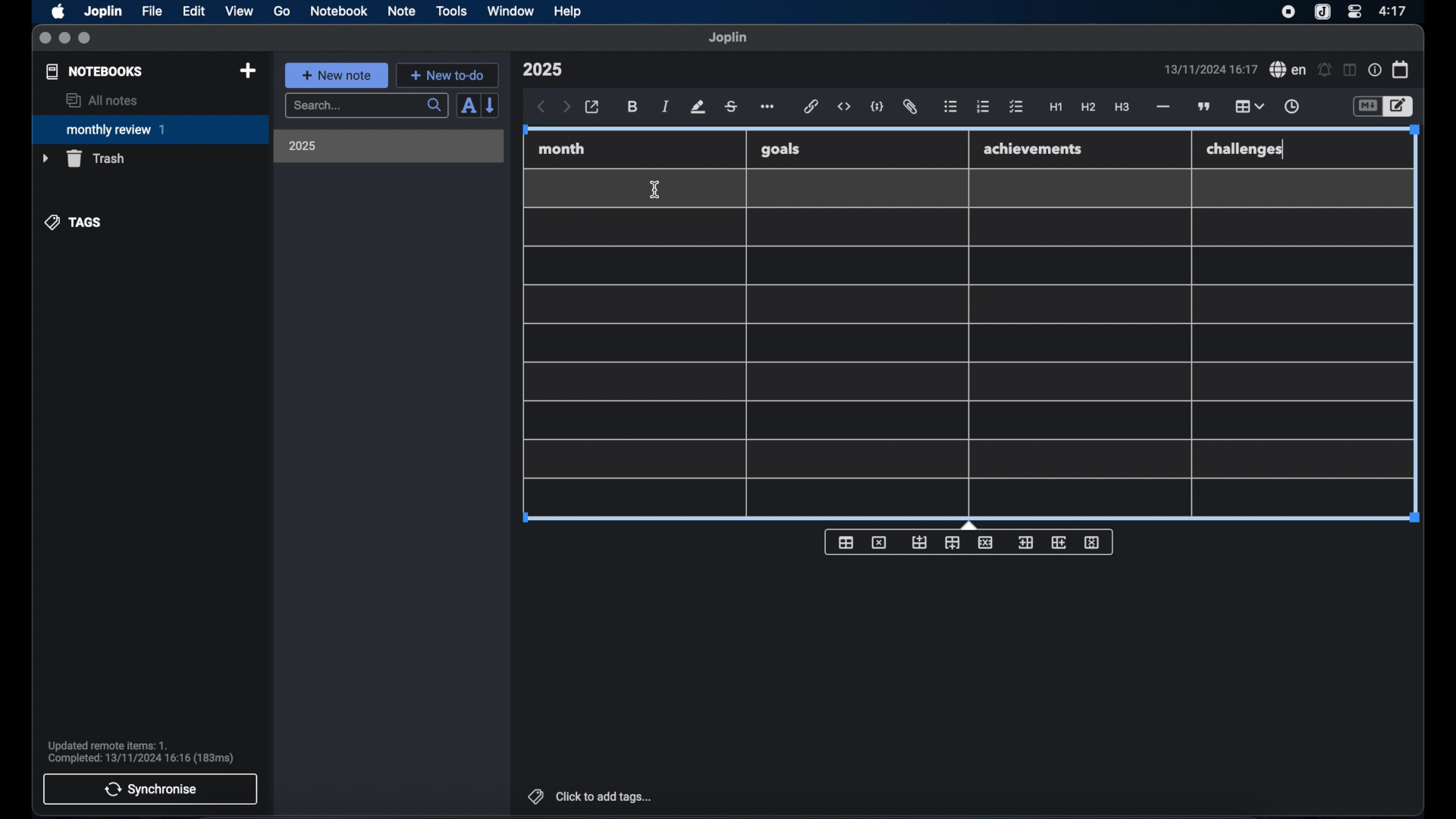 The height and width of the screenshot is (819, 1456). I want to click on delete table, so click(879, 543).